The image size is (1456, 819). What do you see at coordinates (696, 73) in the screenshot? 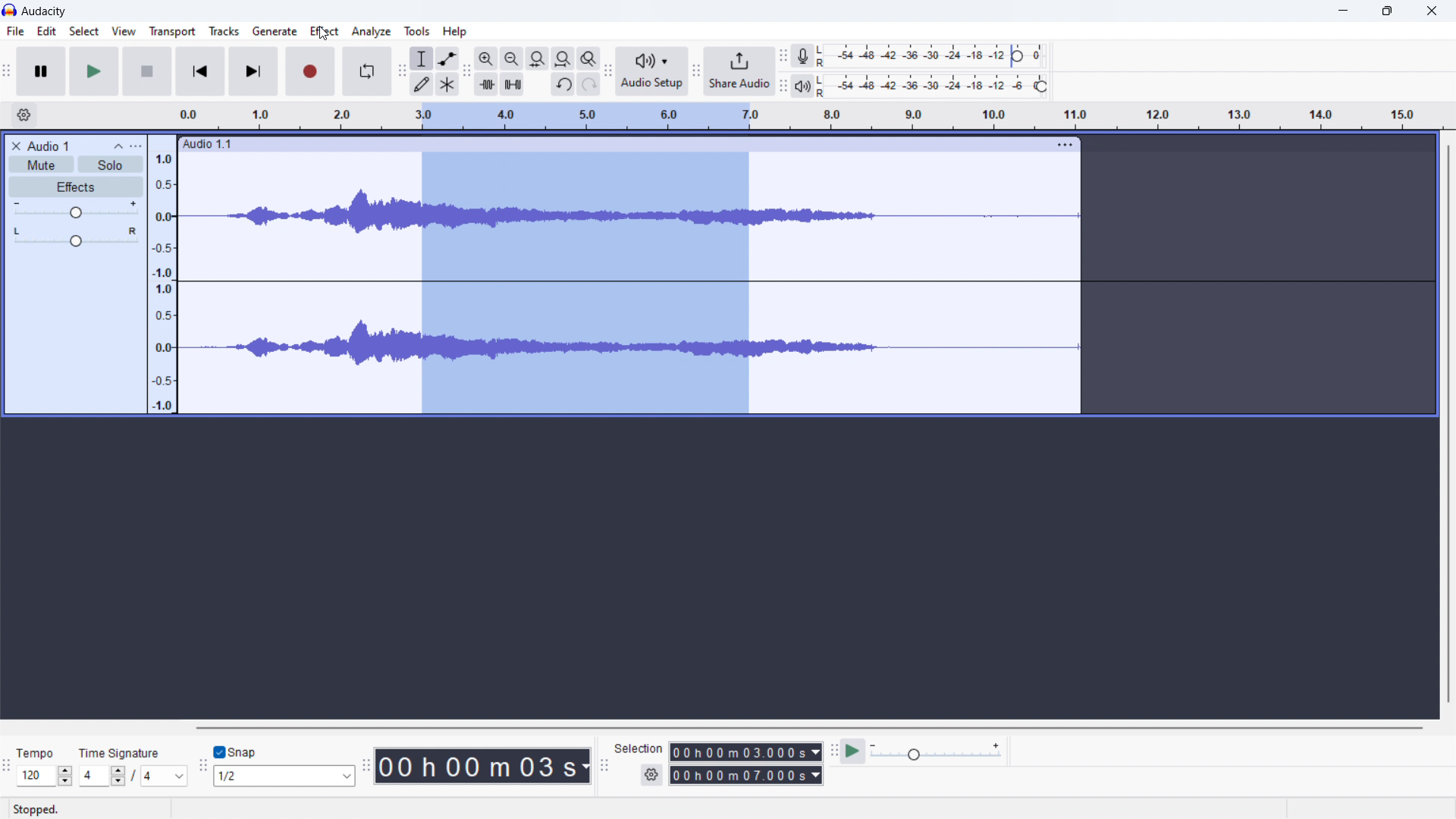
I see `share audio toolbar` at bounding box center [696, 73].